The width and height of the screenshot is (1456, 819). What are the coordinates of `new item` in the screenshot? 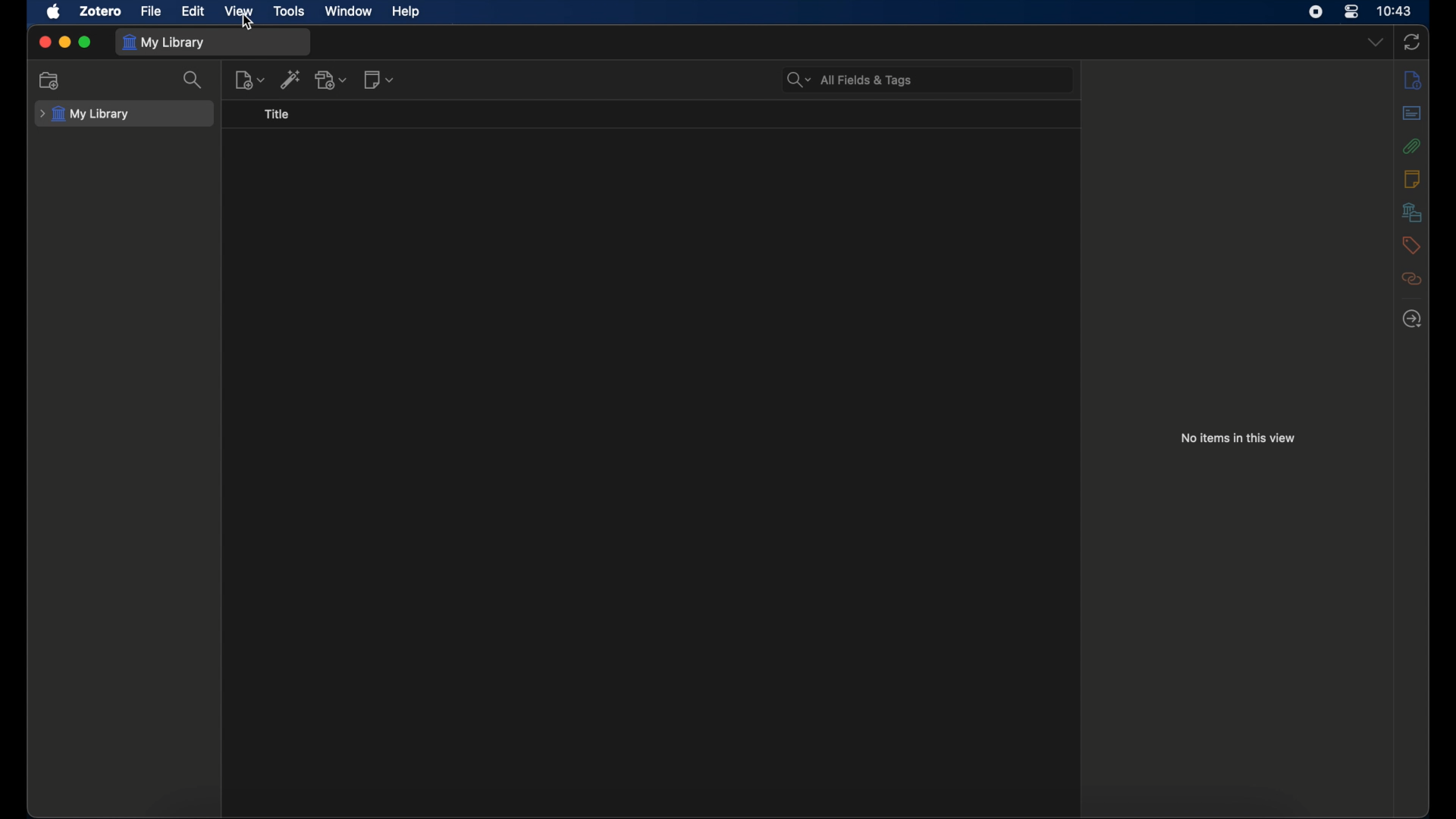 It's located at (249, 79).